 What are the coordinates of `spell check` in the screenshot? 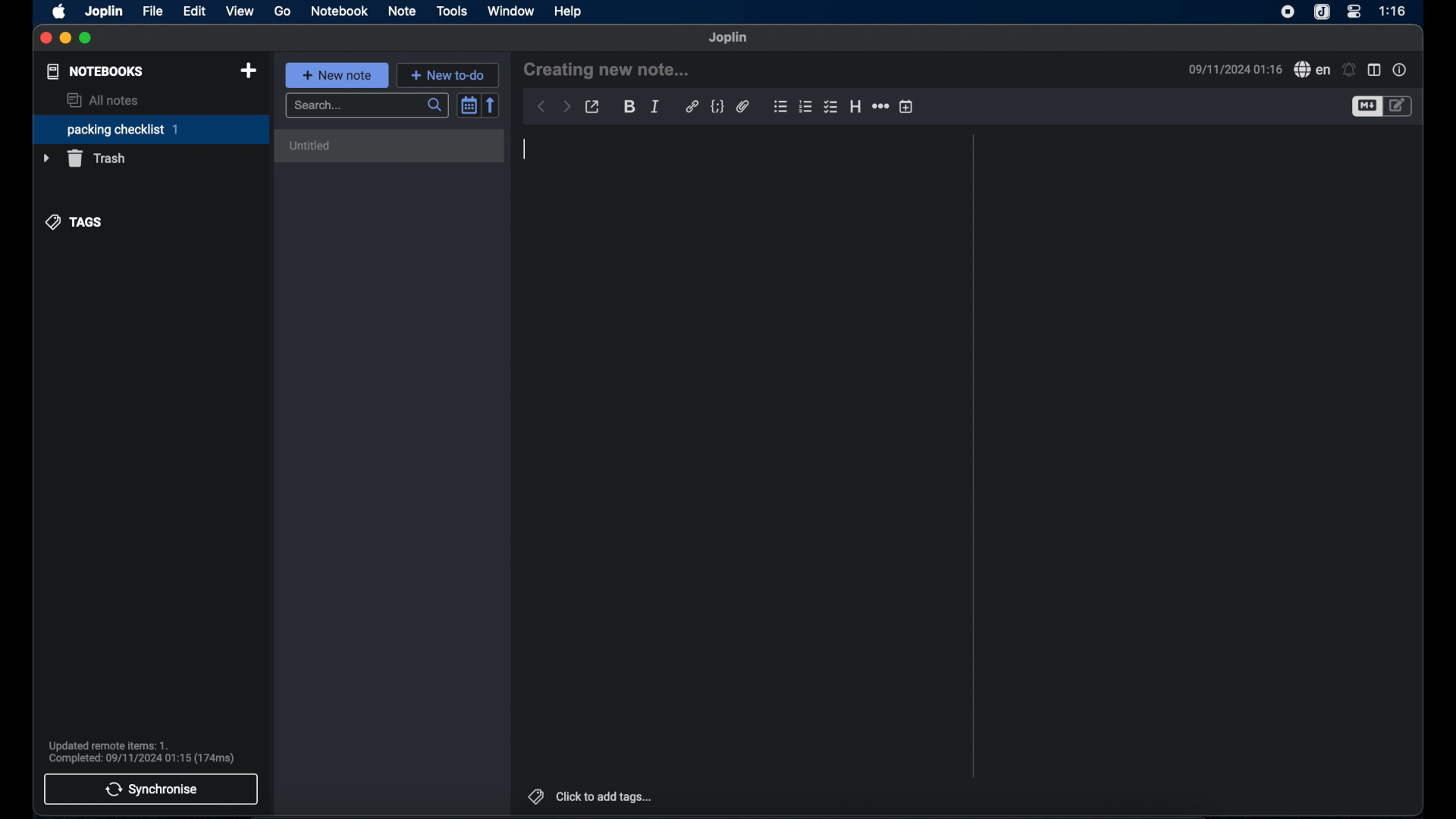 It's located at (1312, 70).